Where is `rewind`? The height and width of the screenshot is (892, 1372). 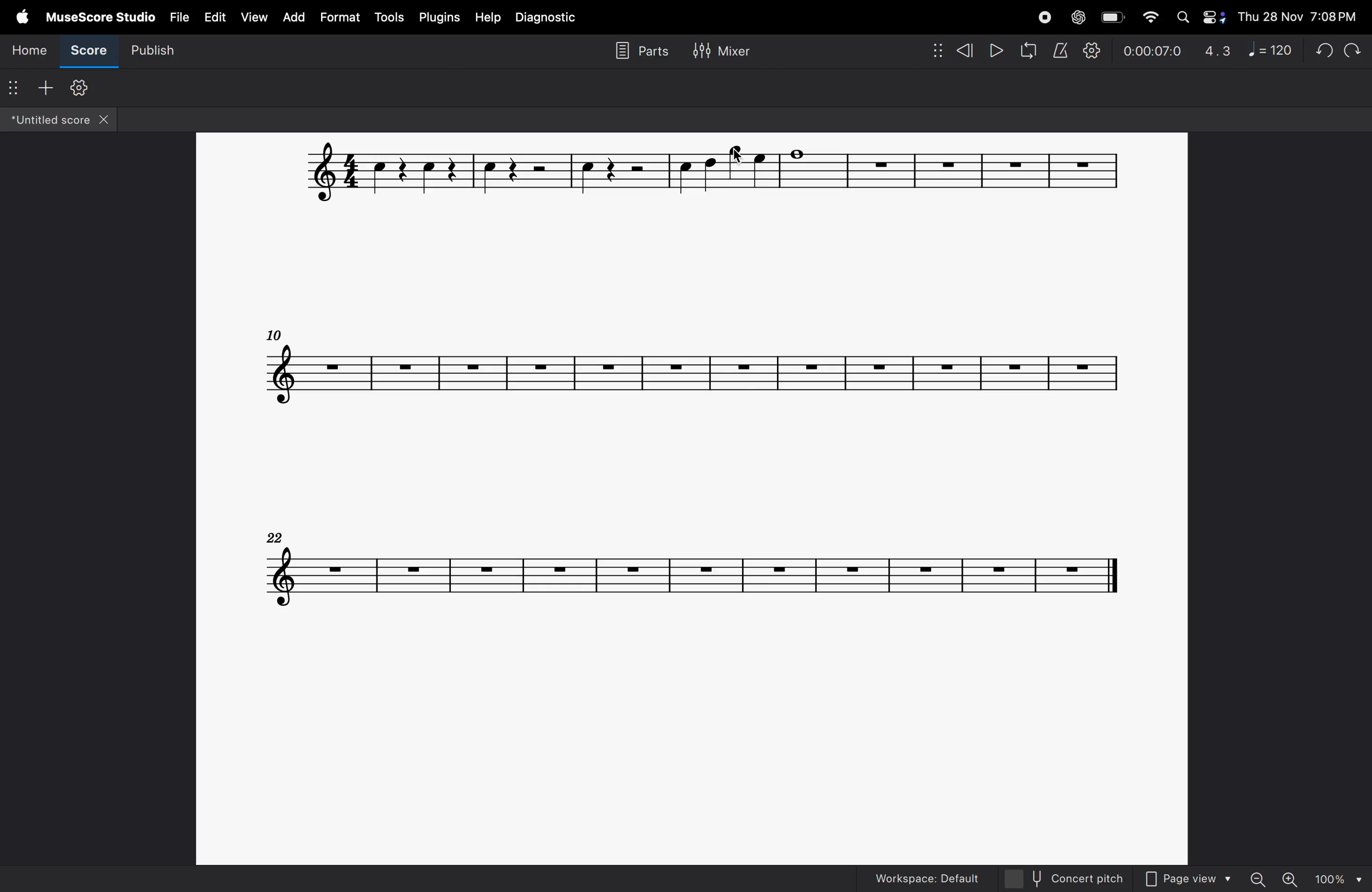
rewind is located at coordinates (949, 49).